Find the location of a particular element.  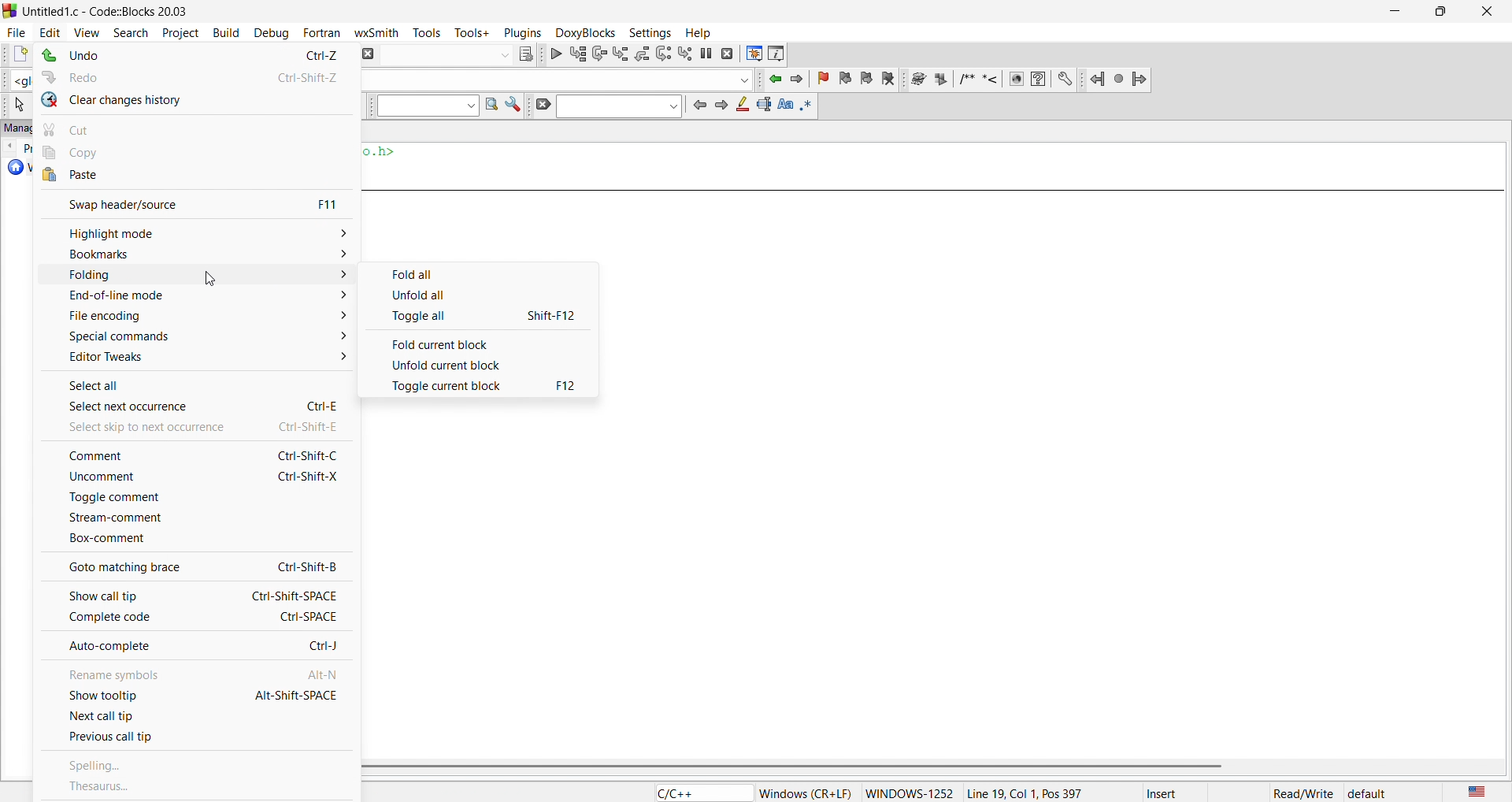

run doxy wizard is located at coordinates (917, 79).